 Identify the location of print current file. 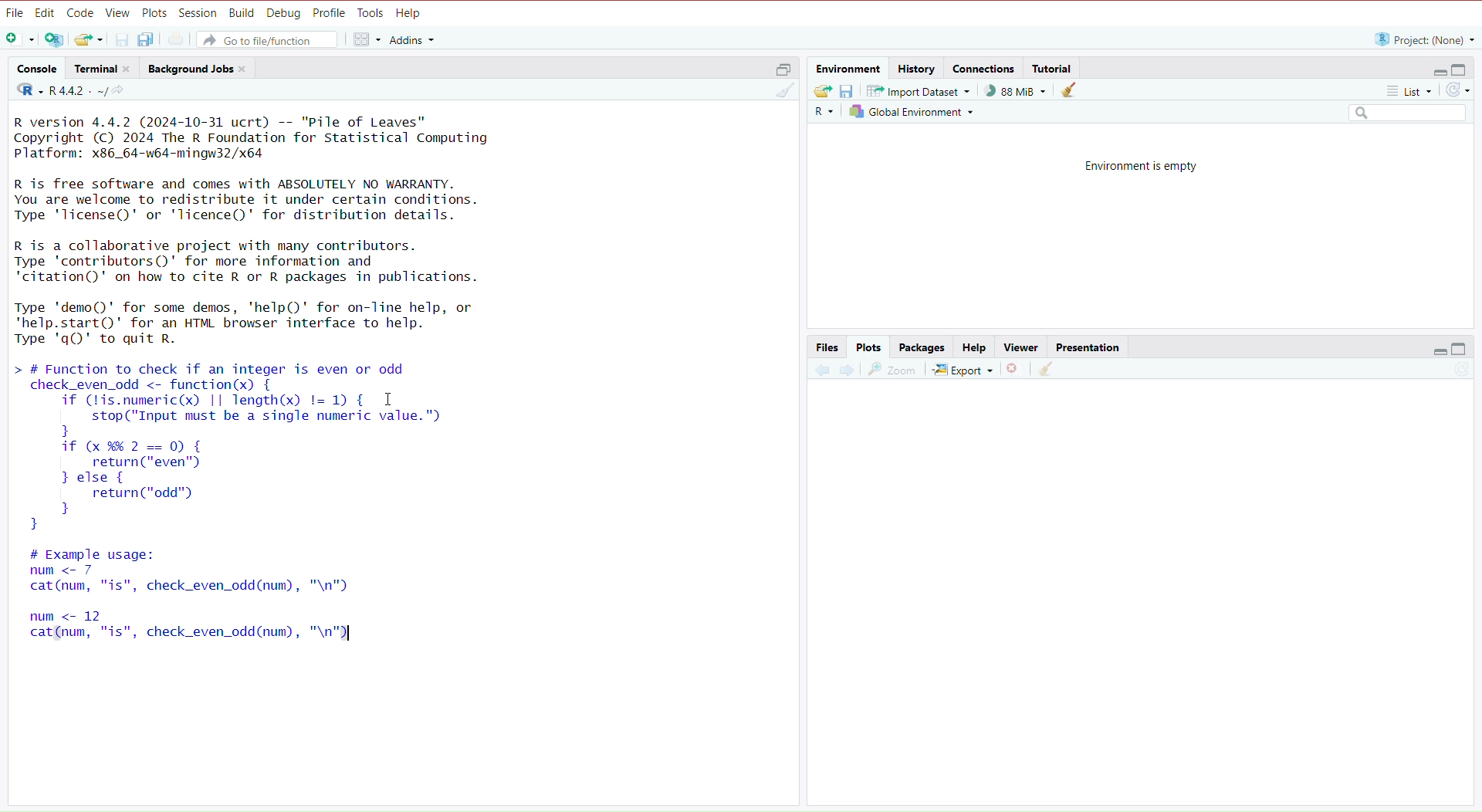
(178, 39).